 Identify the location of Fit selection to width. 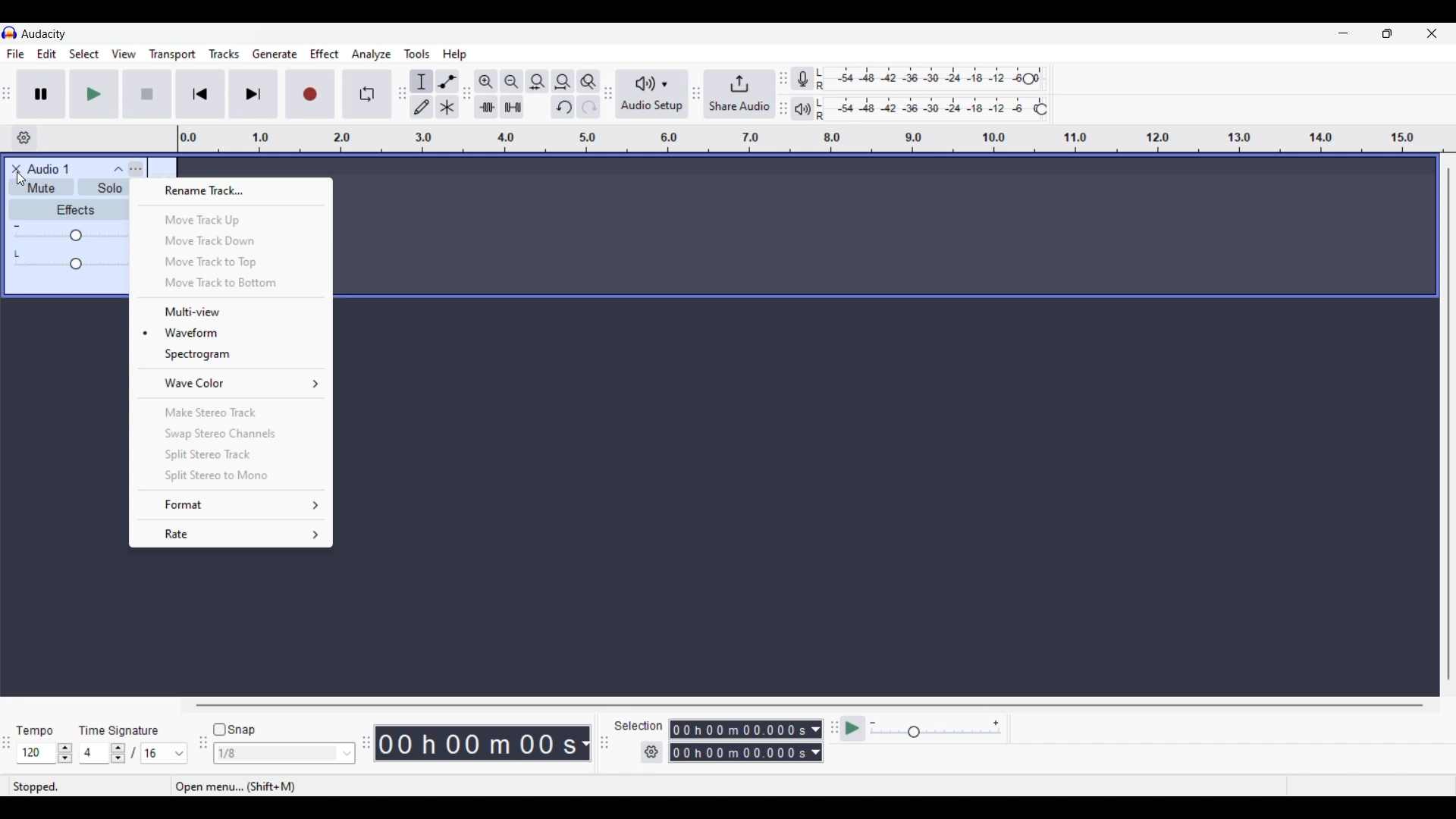
(537, 82).